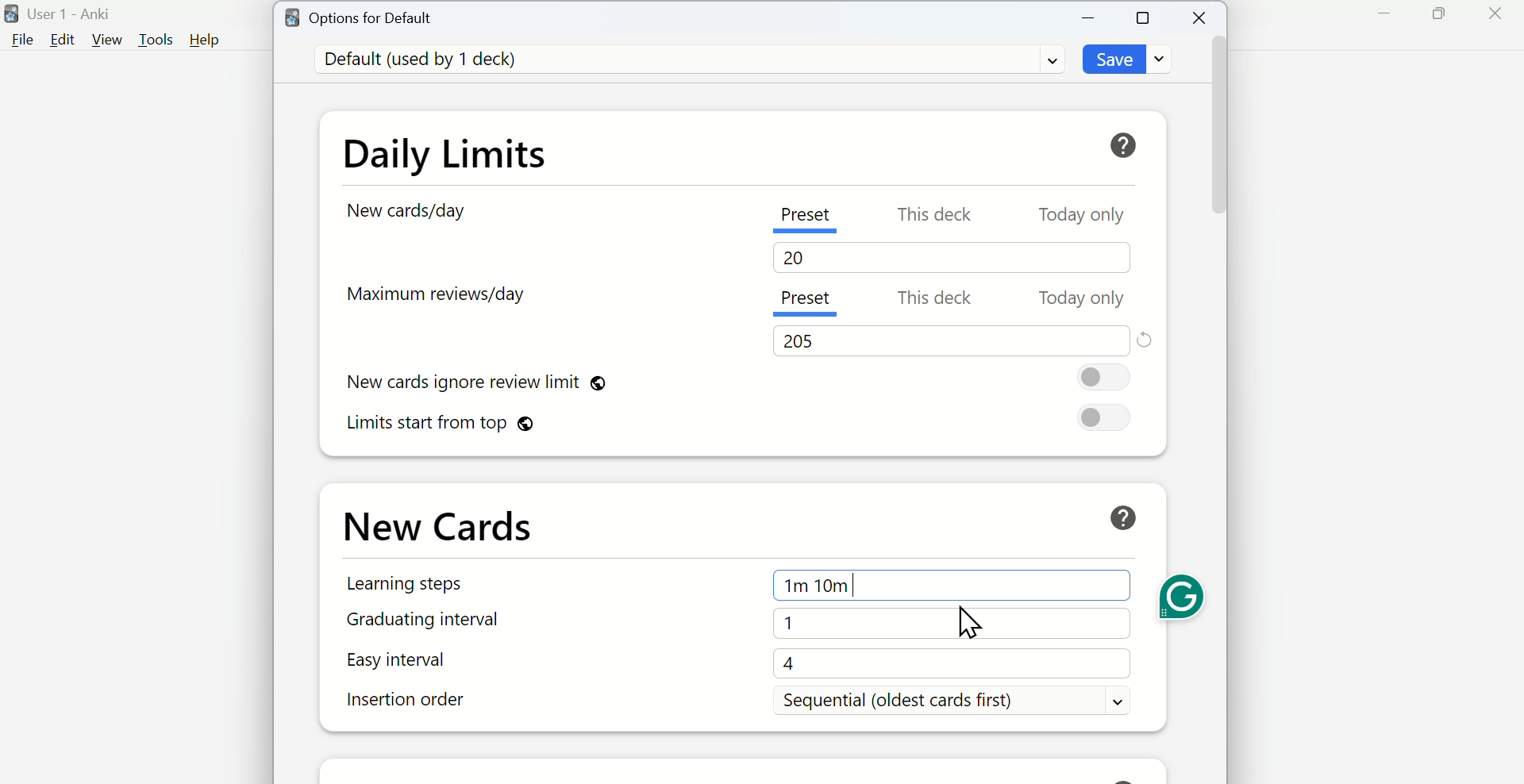  What do you see at coordinates (1108, 378) in the screenshot?
I see `On/Off Toggle` at bounding box center [1108, 378].